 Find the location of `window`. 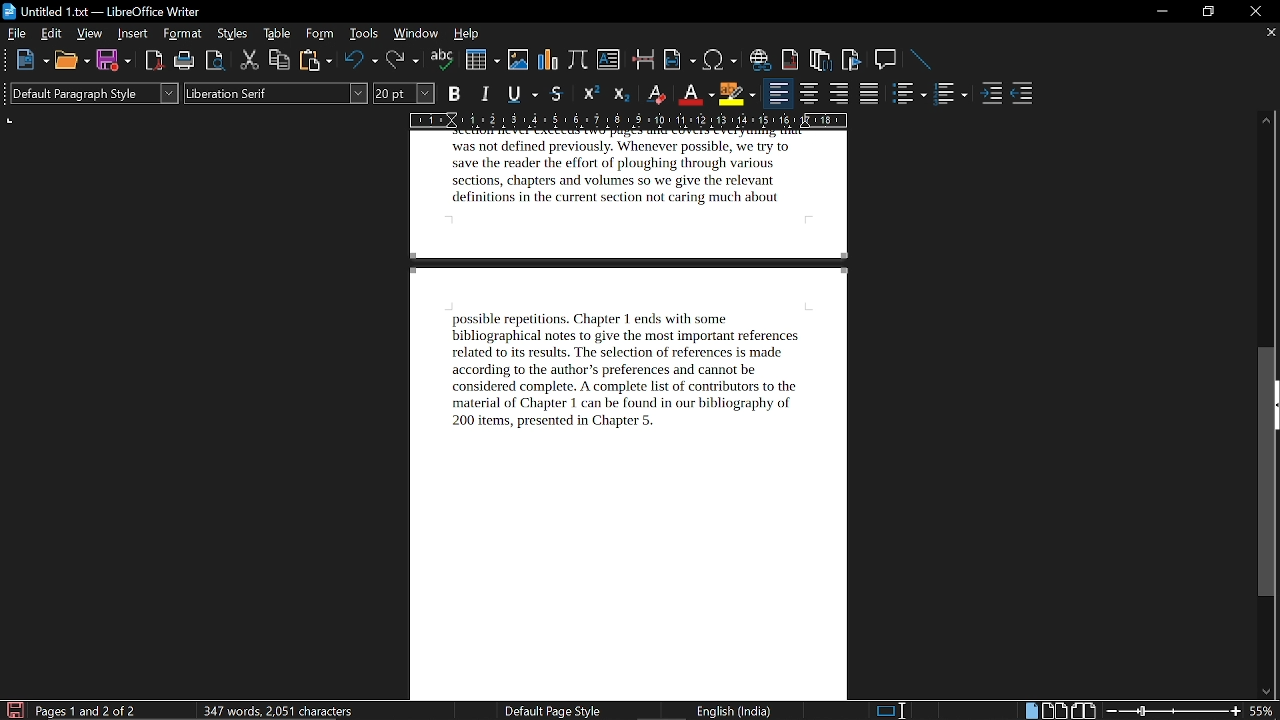

window is located at coordinates (416, 33).